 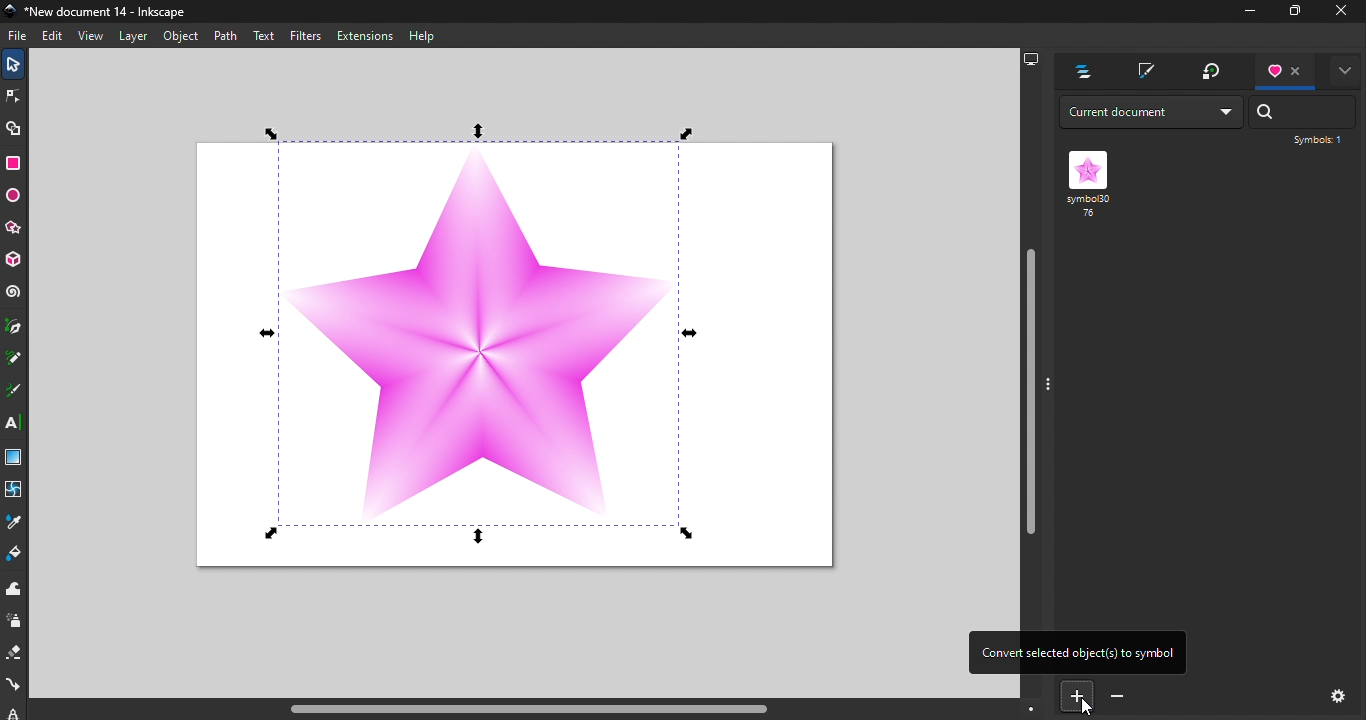 I want to click on Symbol, so click(x=1103, y=183).